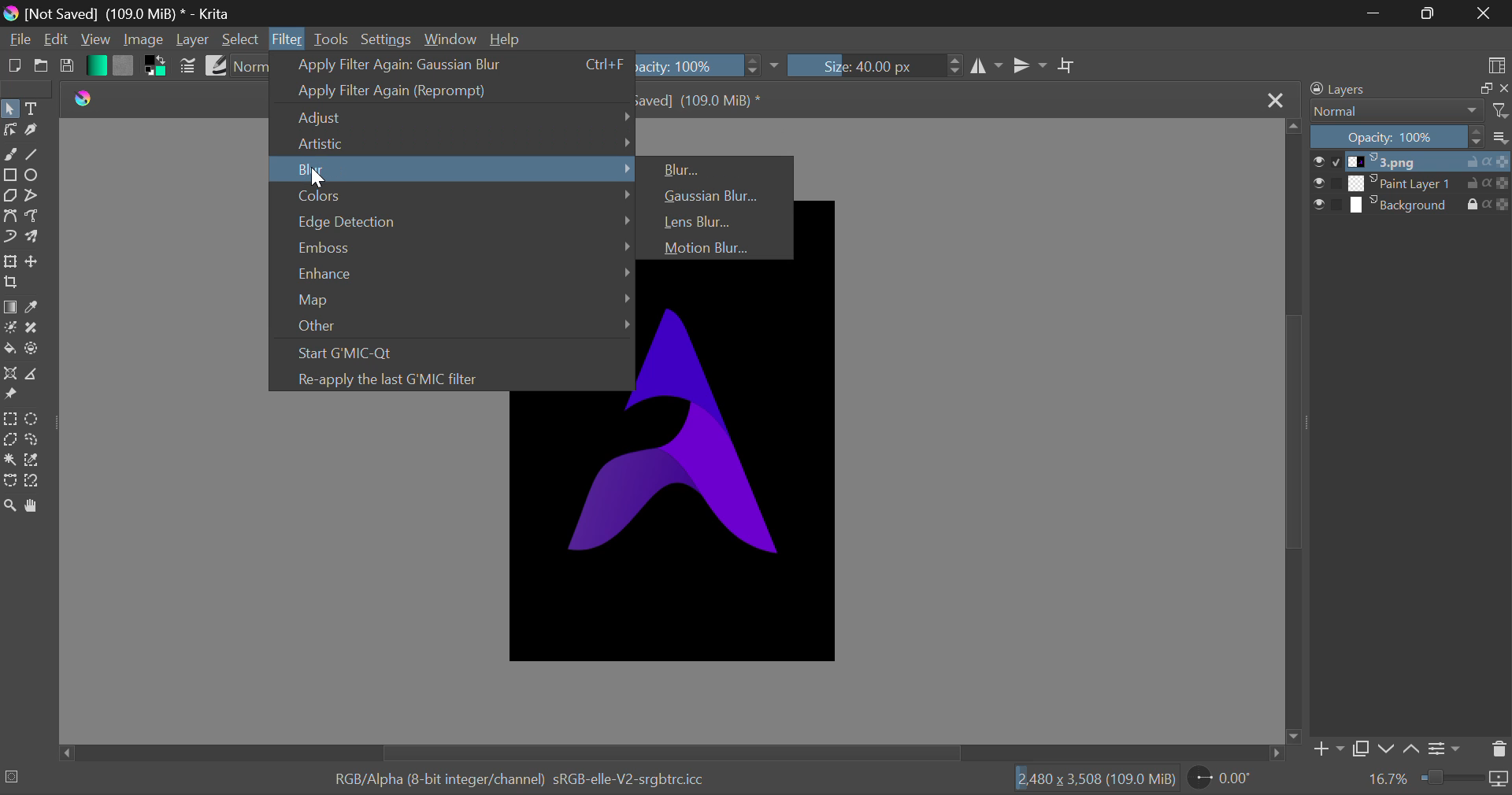  I want to click on Freehand, so click(10, 154).